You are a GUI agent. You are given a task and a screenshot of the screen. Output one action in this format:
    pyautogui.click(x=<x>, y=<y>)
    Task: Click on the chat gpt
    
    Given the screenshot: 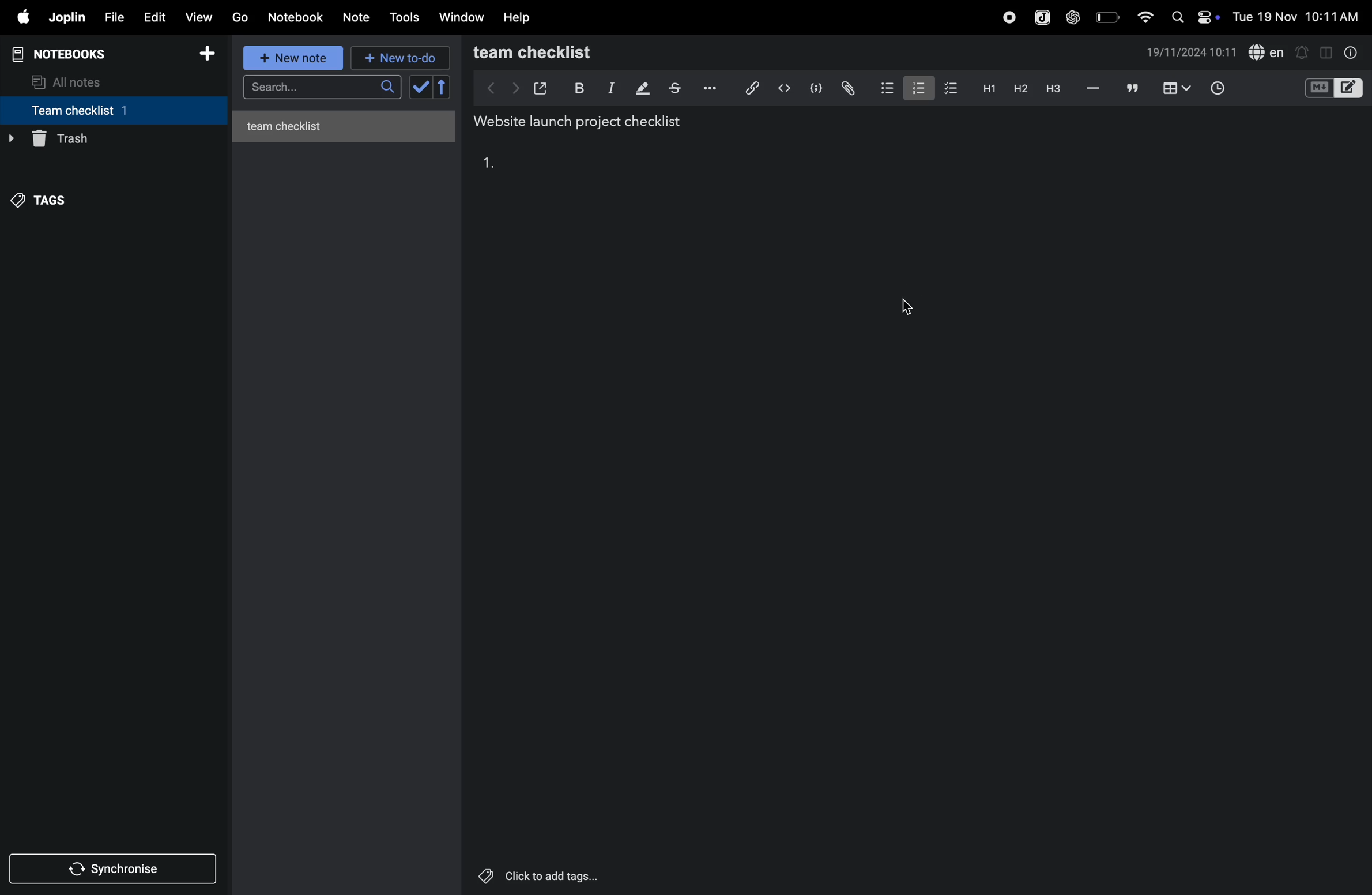 What is the action you would take?
    pyautogui.click(x=1071, y=17)
    